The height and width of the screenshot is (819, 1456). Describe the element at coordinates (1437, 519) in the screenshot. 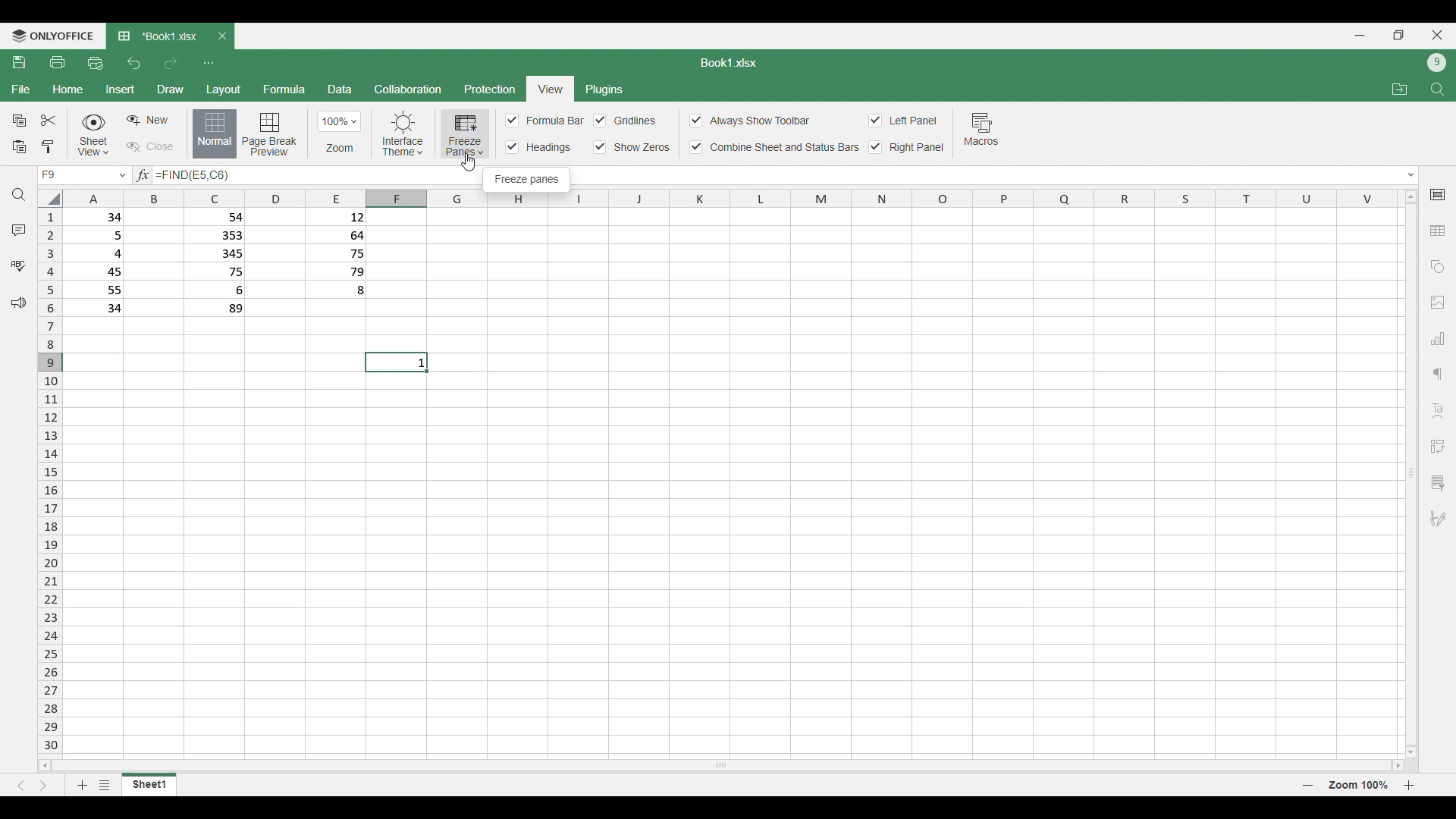

I see `Add digital signature or signature line` at that location.